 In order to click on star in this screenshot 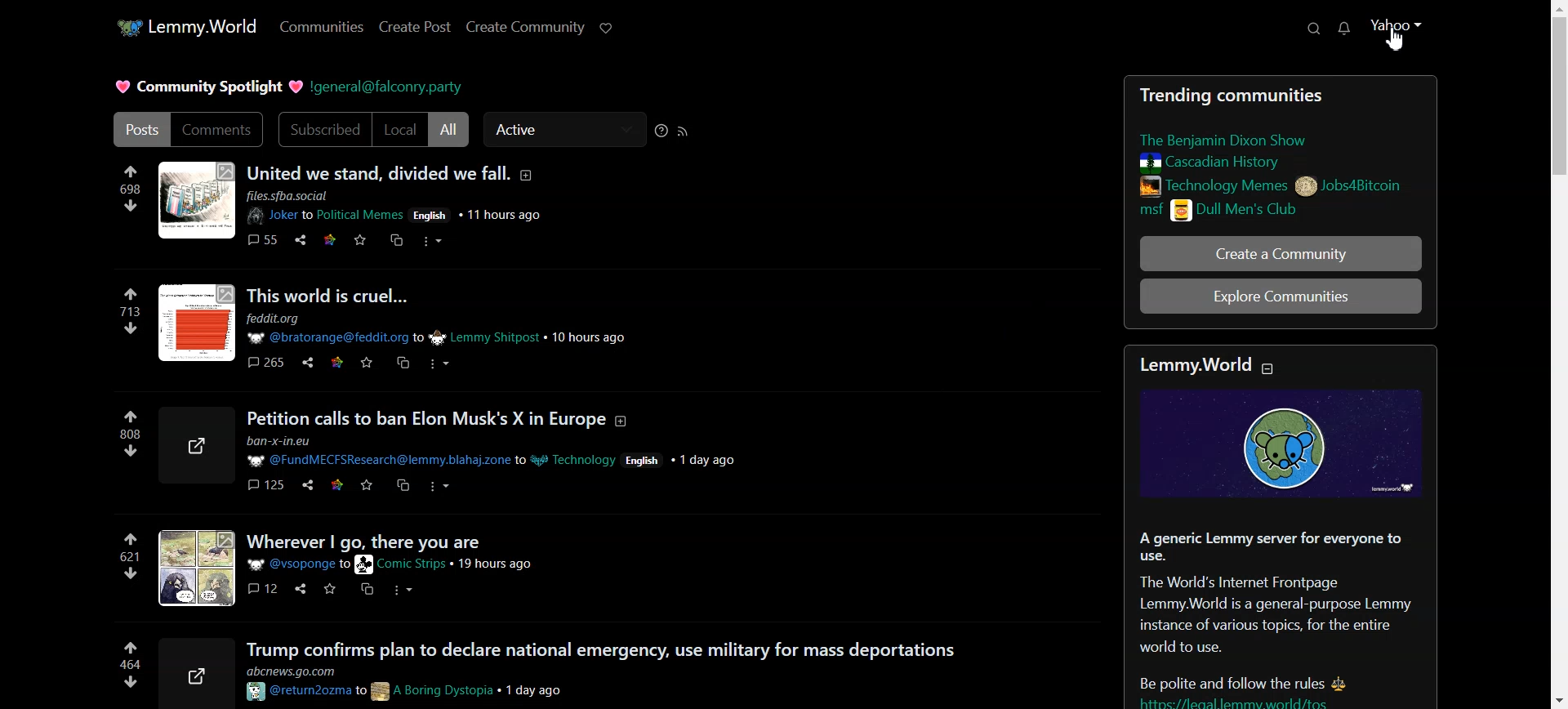, I will do `click(331, 595)`.